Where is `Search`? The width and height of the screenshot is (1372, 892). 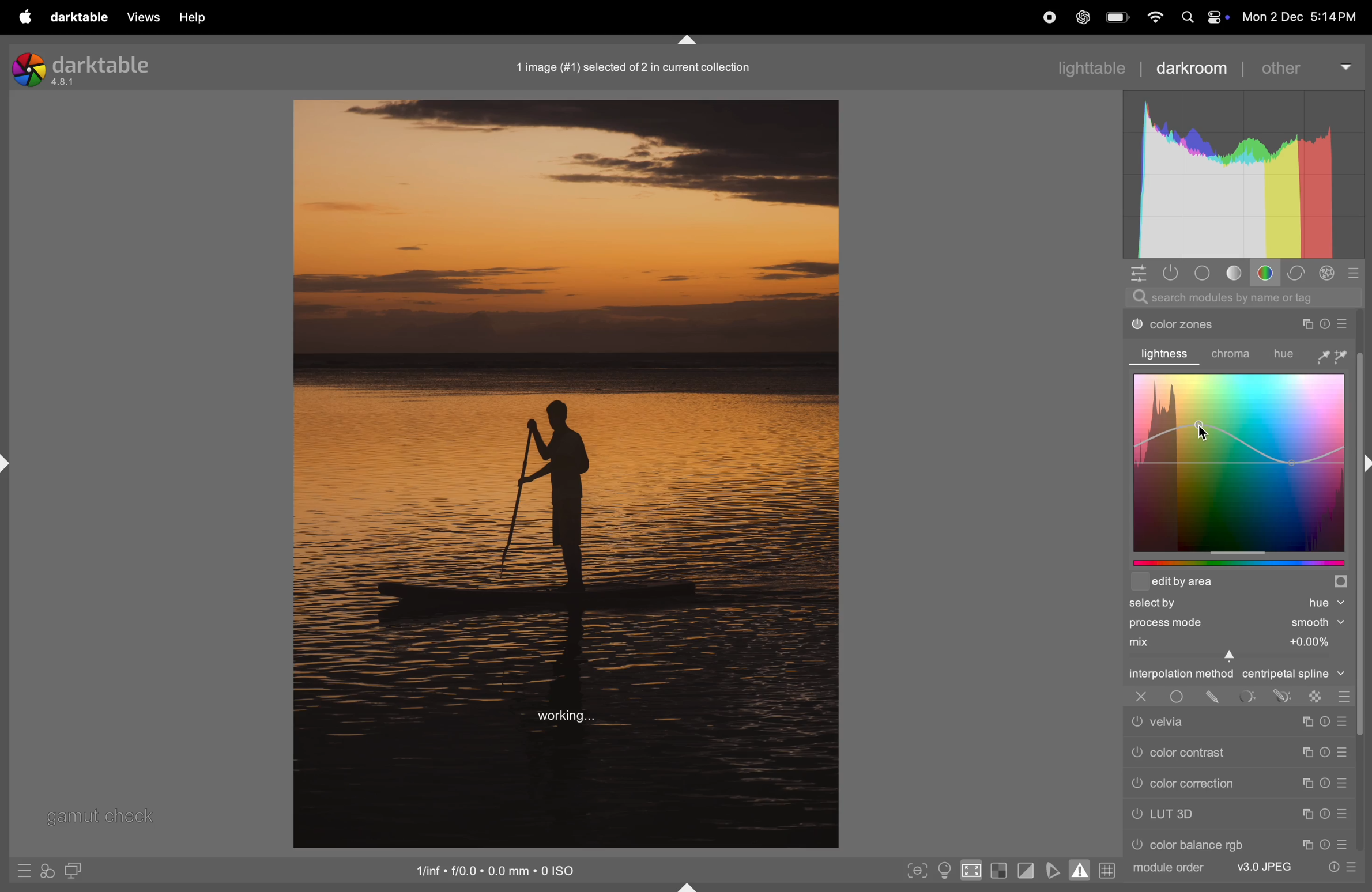
Search is located at coordinates (1188, 18).